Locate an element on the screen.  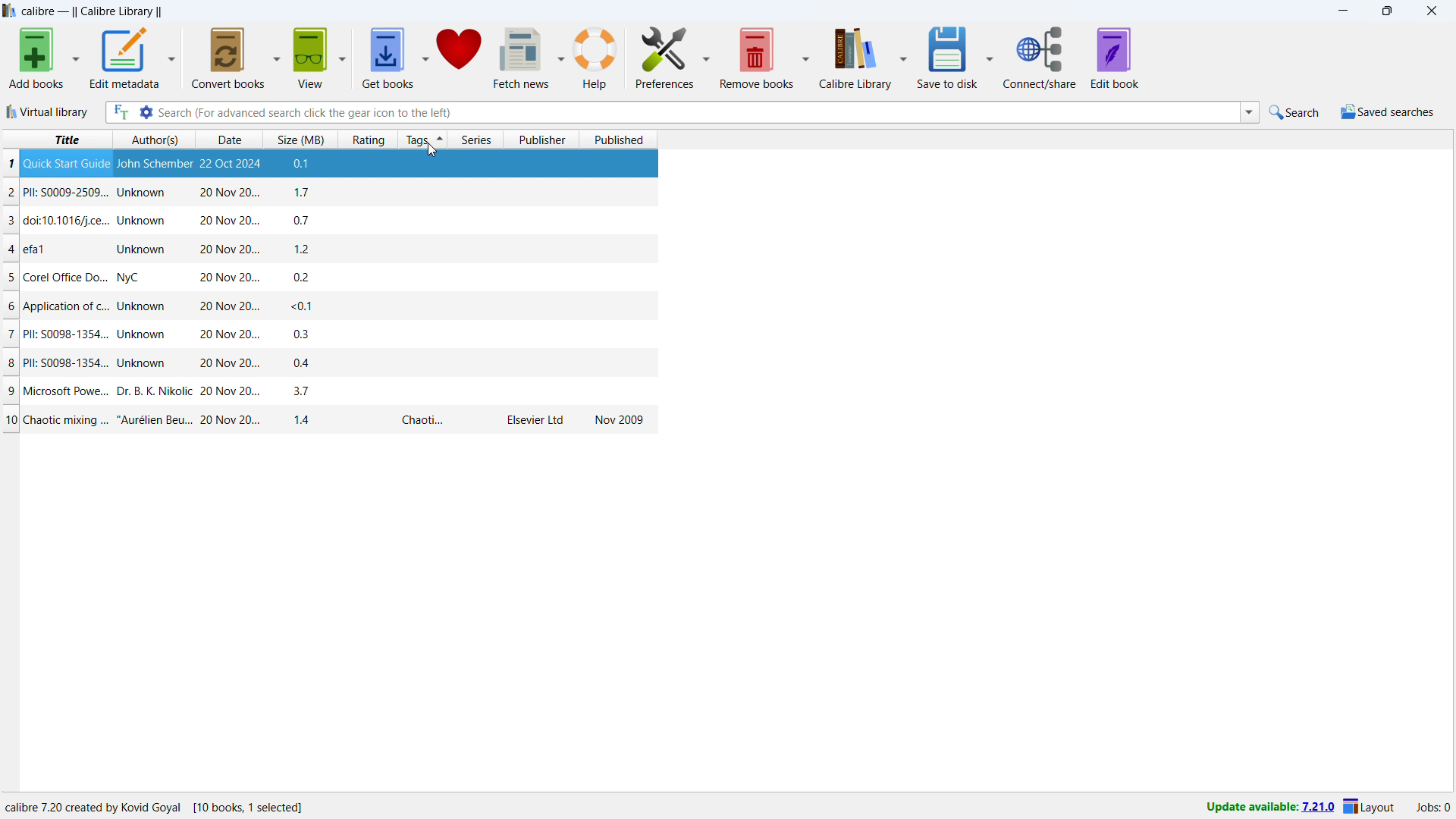
calibre library options is located at coordinates (905, 57).